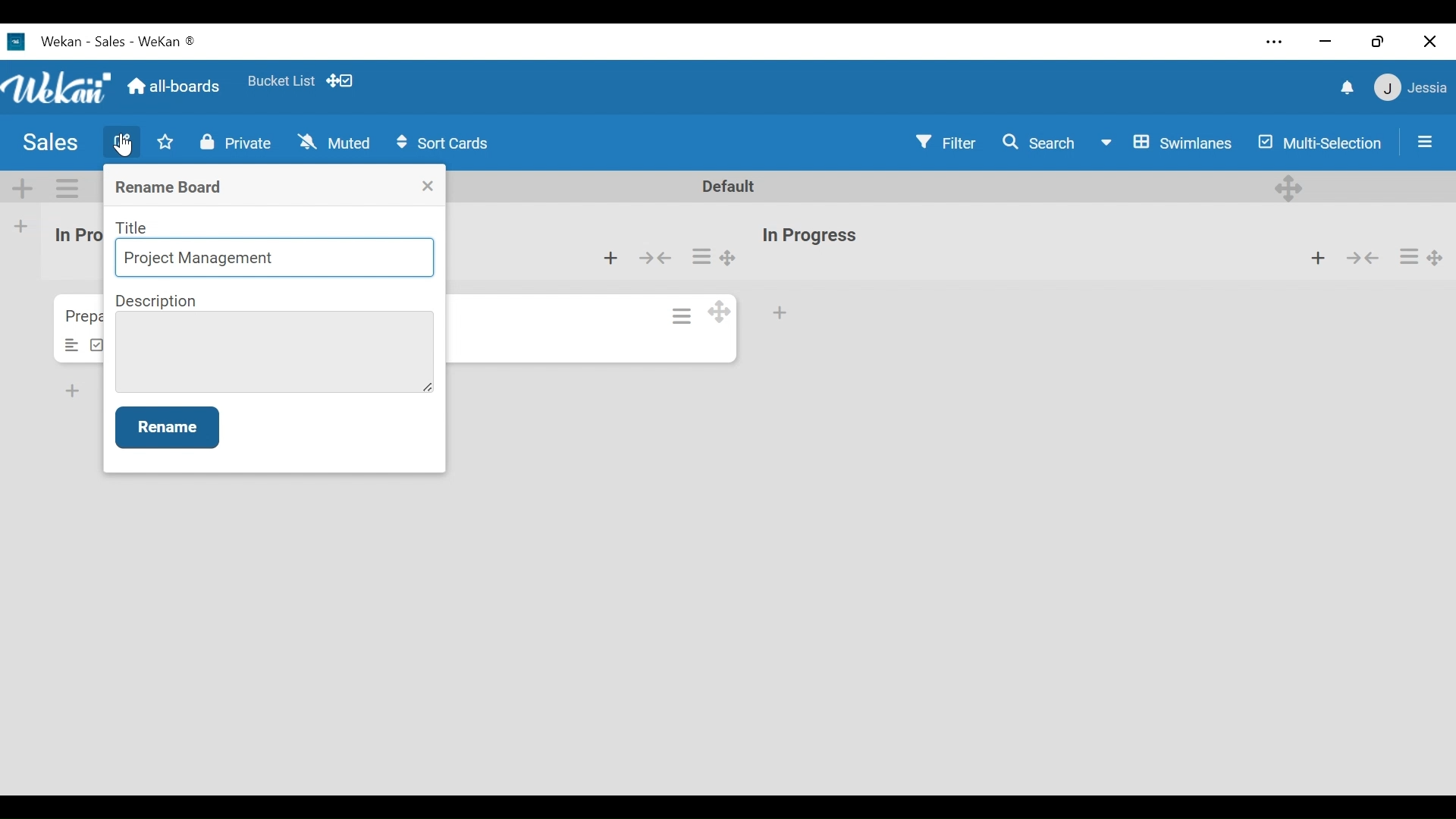 This screenshot has width=1456, height=819. Describe the element at coordinates (1041, 143) in the screenshot. I see `Search` at that location.